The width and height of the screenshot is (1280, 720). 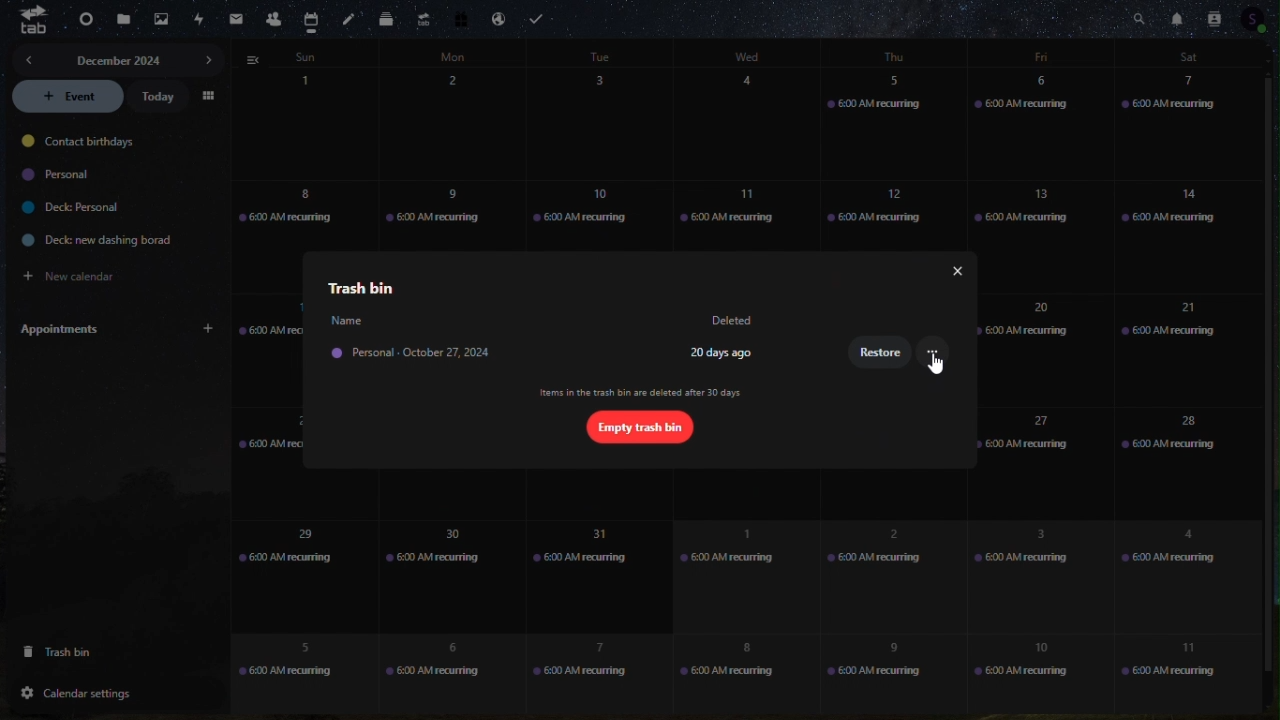 What do you see at coordinates (119, 58) in the screenshot?
I see `december 2024` at bounding box center [119, 58].